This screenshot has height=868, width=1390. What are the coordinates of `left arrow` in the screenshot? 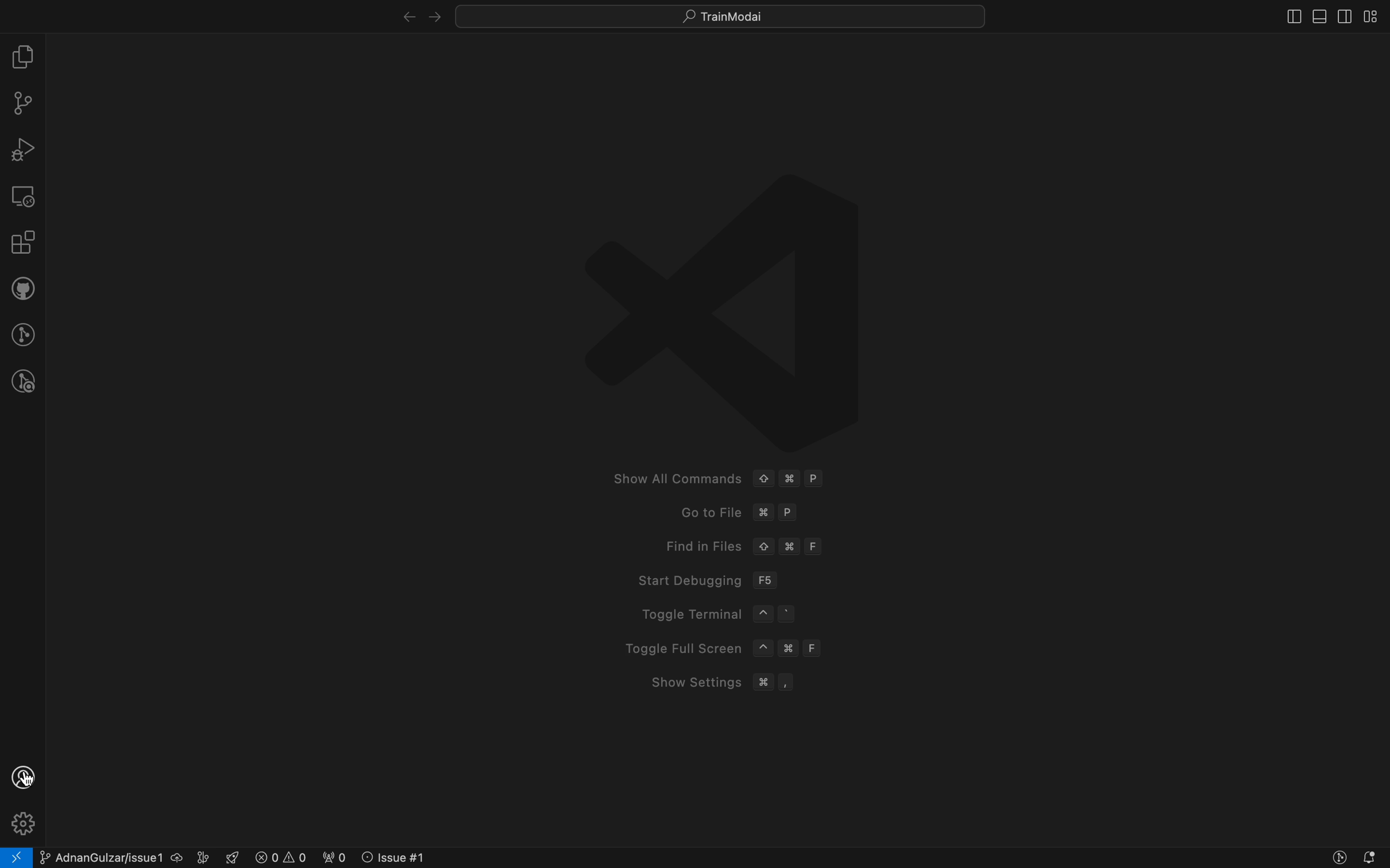 It's located at (435, 13).